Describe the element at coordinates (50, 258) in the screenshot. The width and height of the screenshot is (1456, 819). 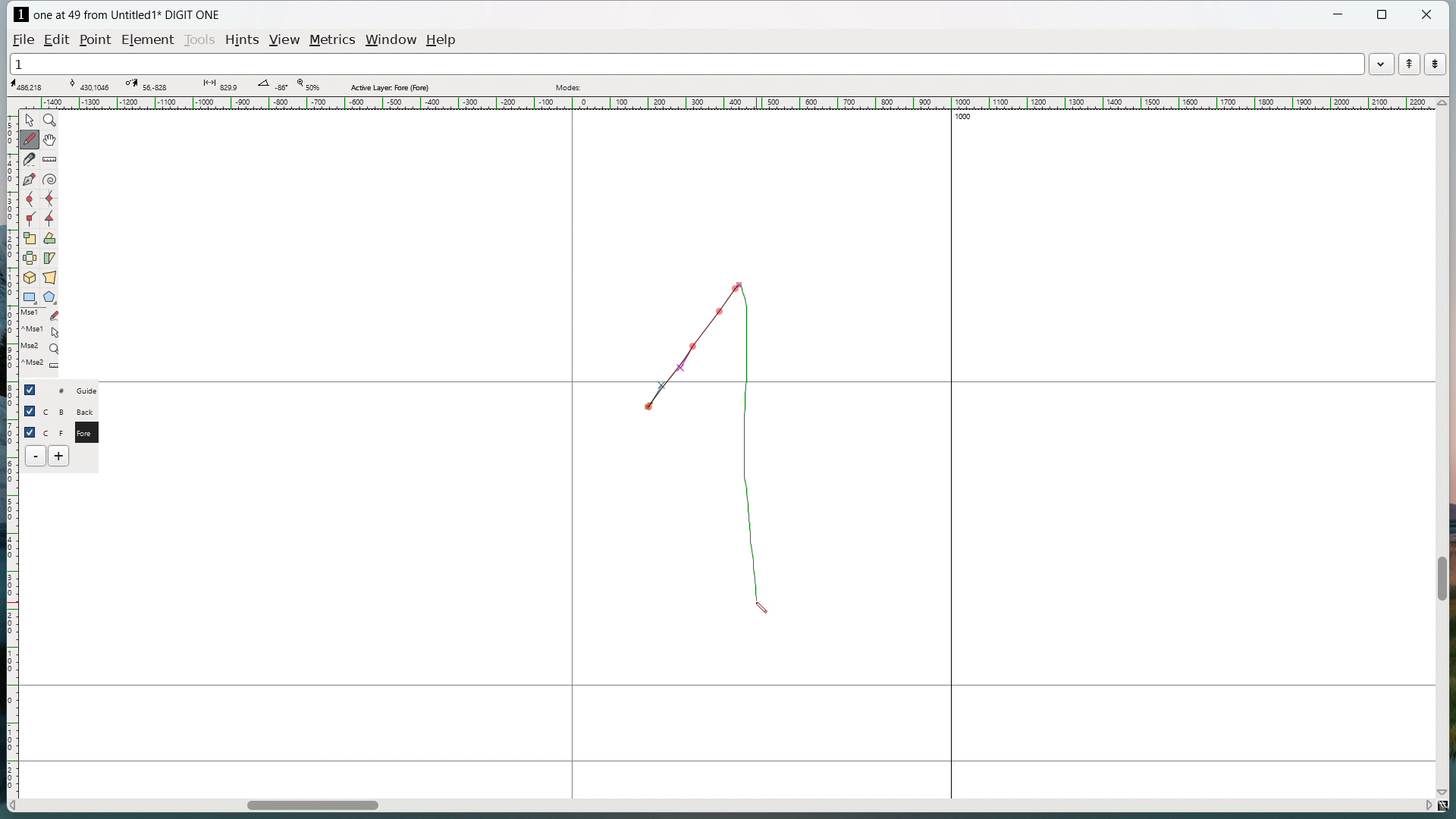
I see `skew selection` at that location.